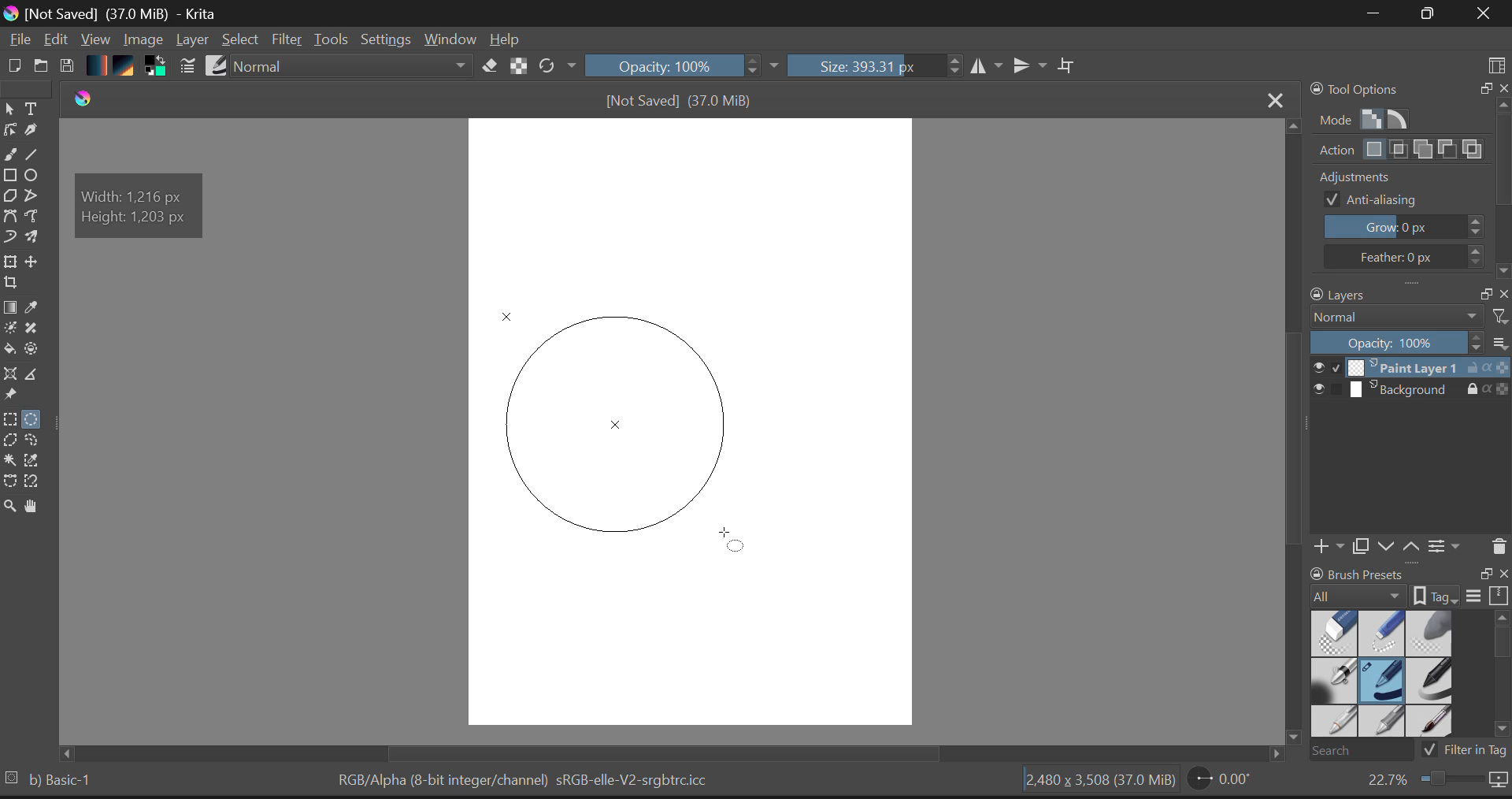 Image resolution: width=1512 pixels, height=799 pixels. Describe the element at coordinates (609, 418) in the screenshot. I see `Mock Shape Generated` at that location.